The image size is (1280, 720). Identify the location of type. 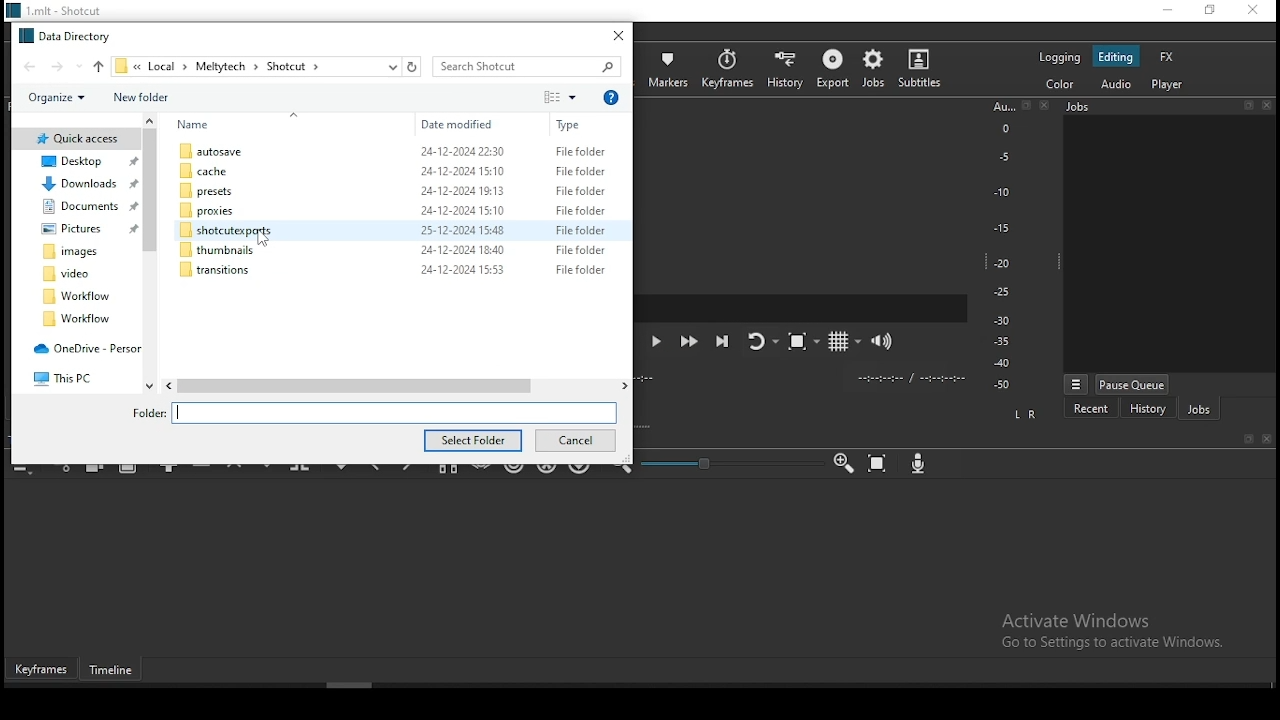
(571, 125).